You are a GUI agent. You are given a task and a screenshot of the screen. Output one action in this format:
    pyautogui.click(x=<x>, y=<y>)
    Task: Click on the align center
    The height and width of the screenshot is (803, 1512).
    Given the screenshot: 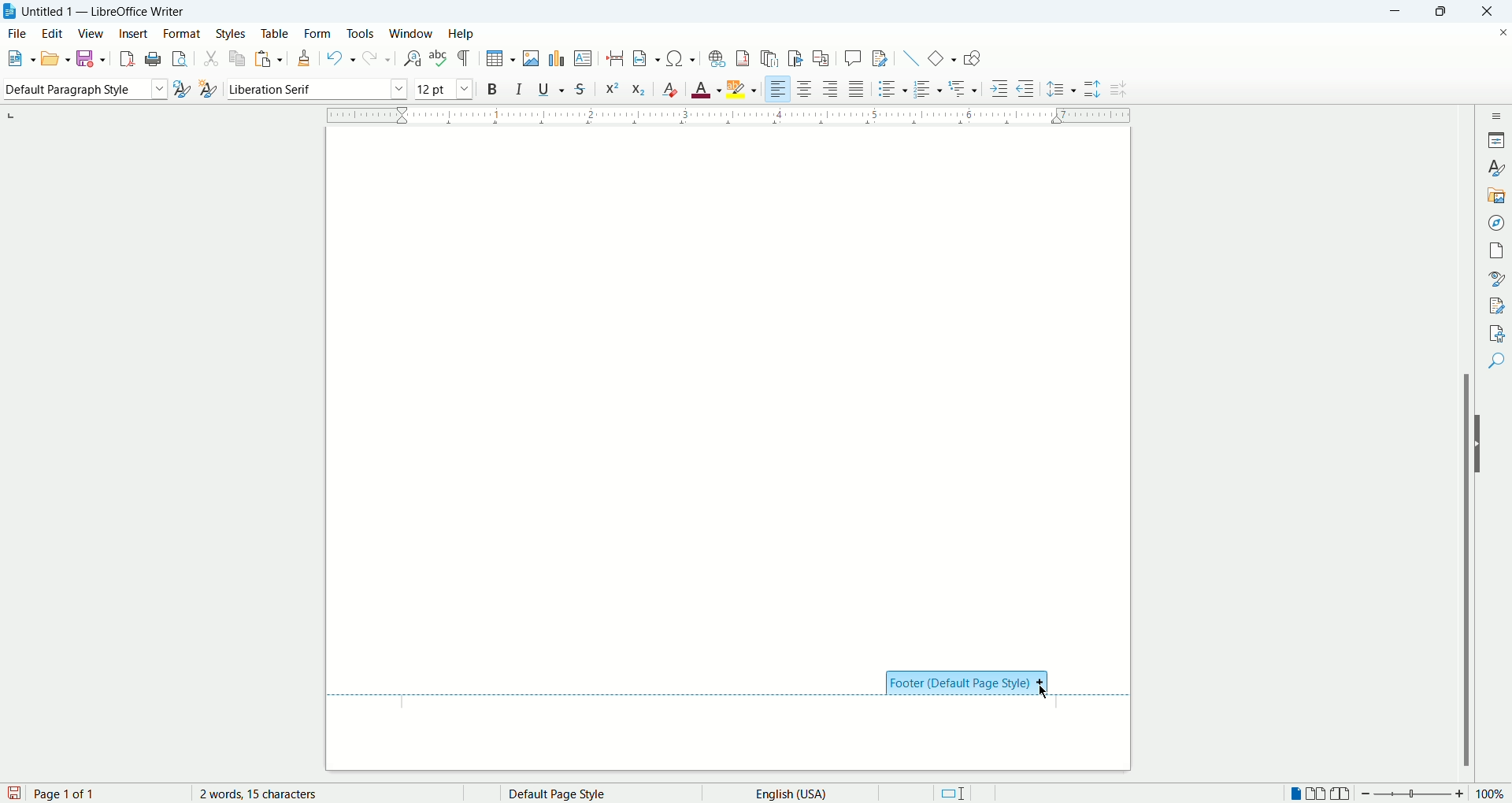 What is the action you would take?
    pyautogui.click(x=809, y=90)
    